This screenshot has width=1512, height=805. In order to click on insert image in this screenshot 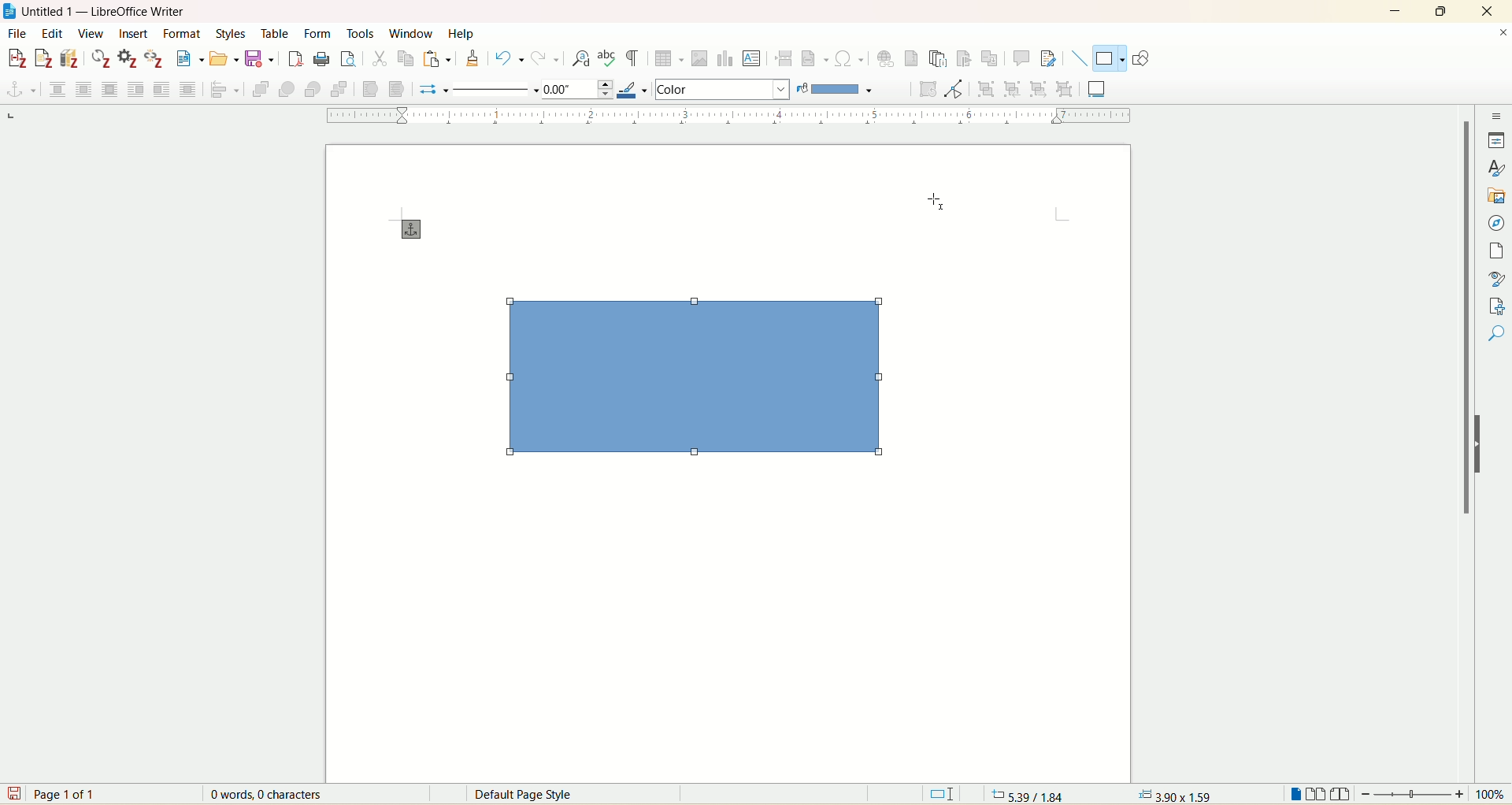, I will do `click(702, 57)`.